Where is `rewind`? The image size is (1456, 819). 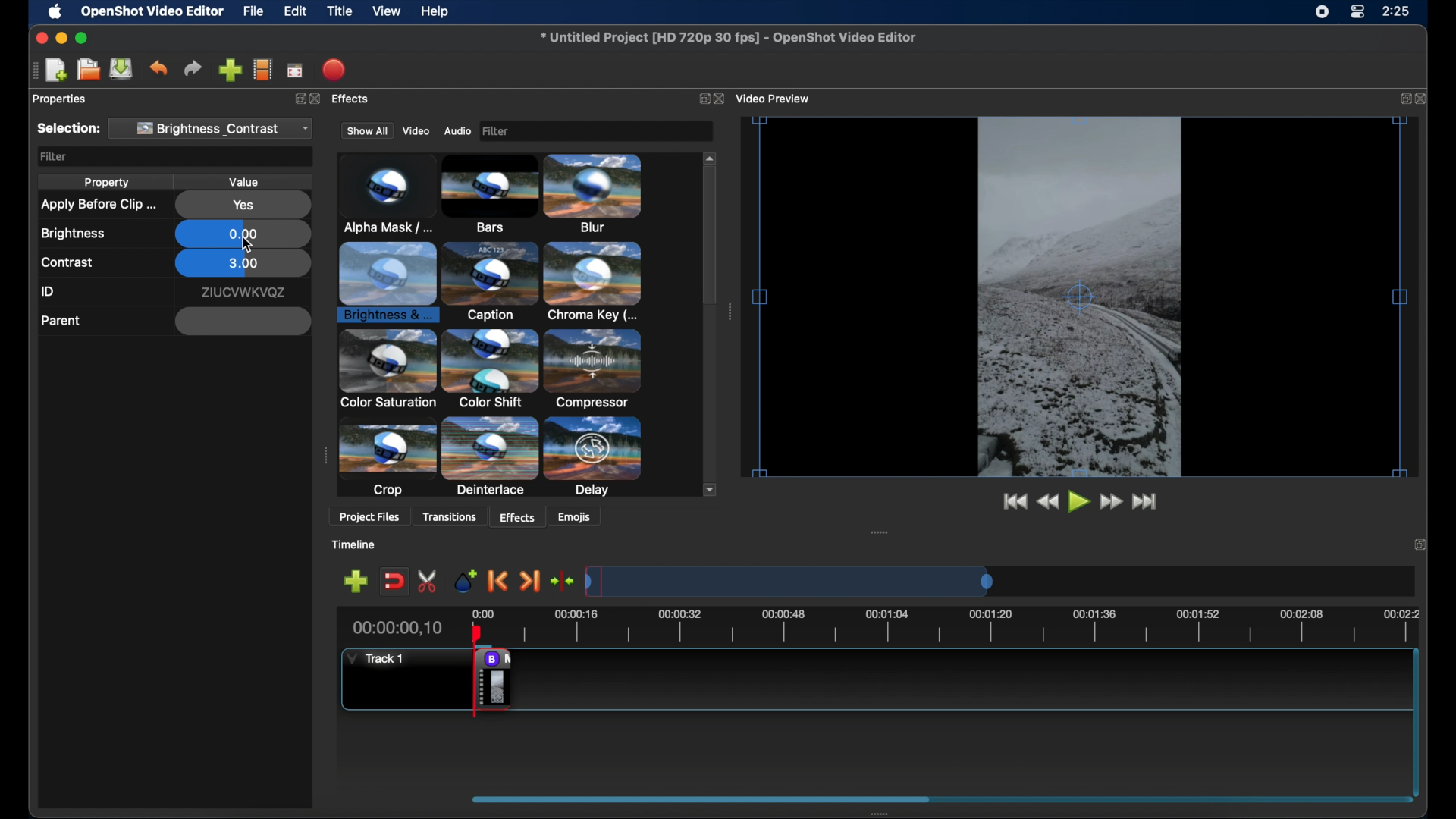 rewind is located at coordinates (1047, 503).